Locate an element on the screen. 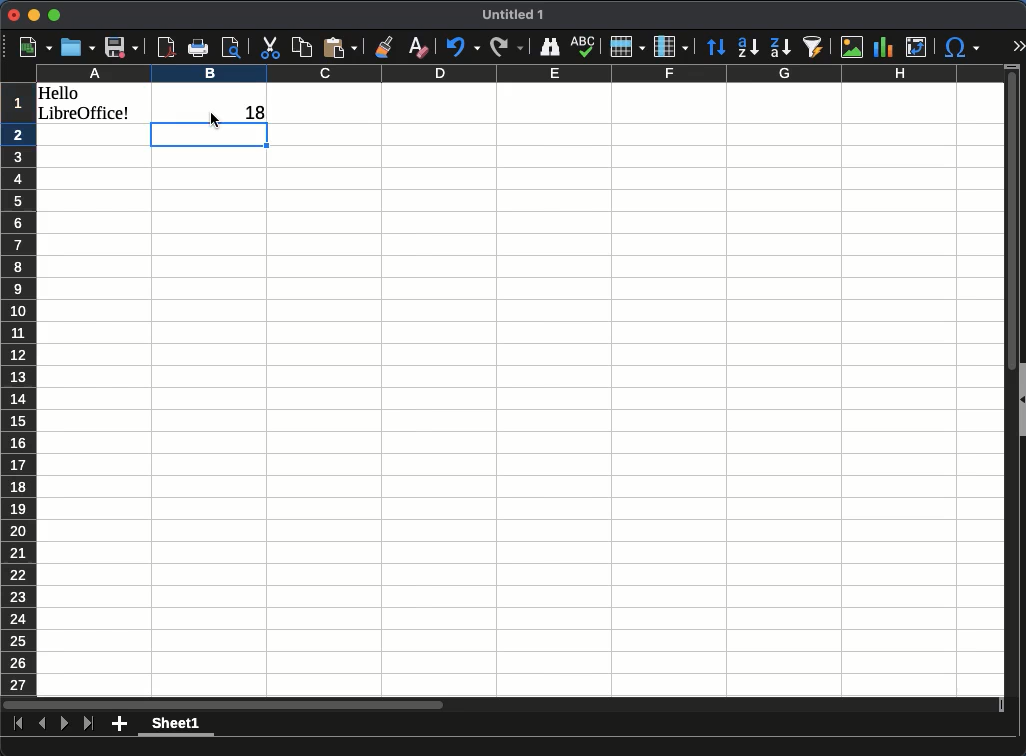 The image size is (1026, 756). page preview is located at coordinates (233, 48).